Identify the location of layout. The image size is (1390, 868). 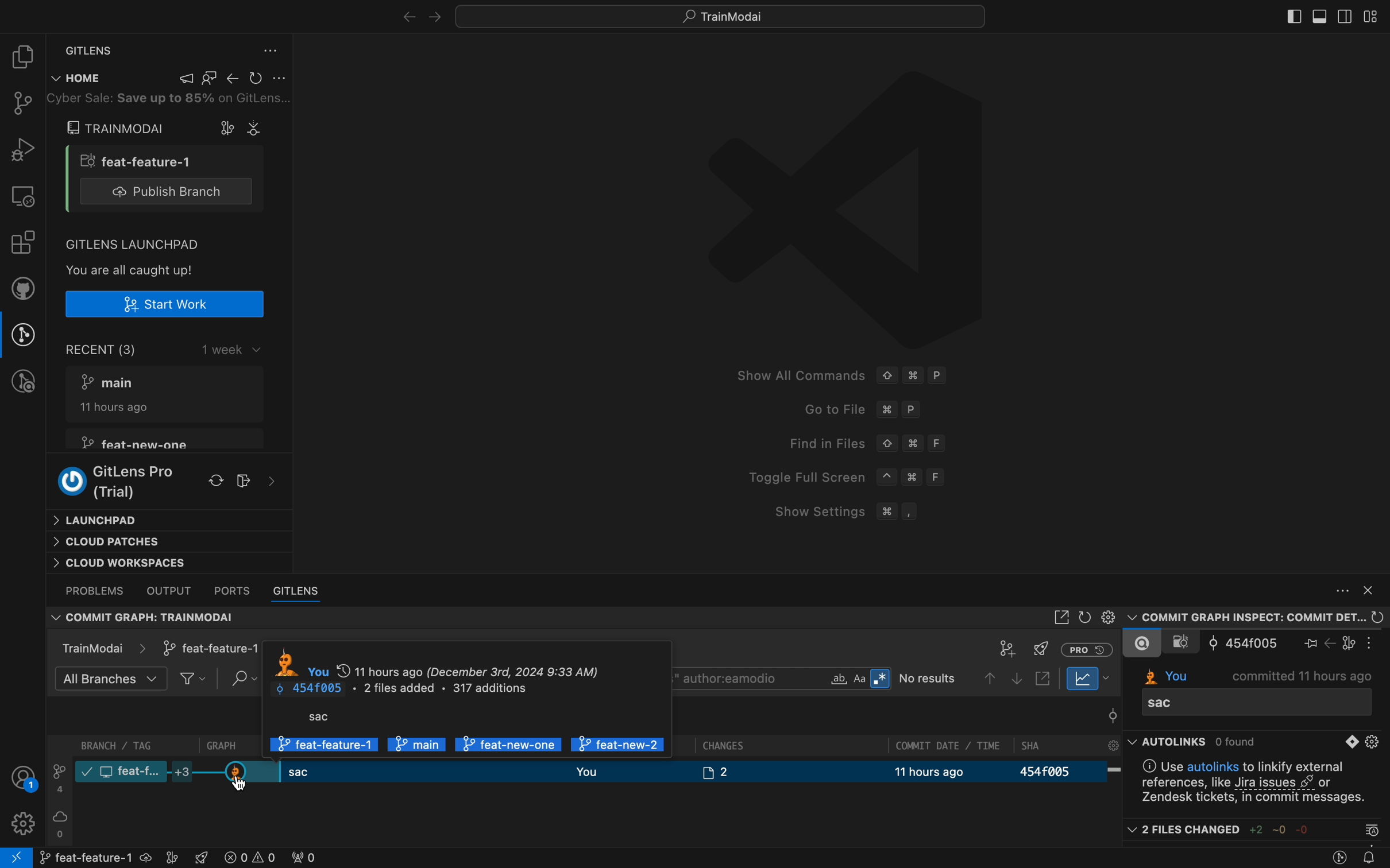
(1376, 18).